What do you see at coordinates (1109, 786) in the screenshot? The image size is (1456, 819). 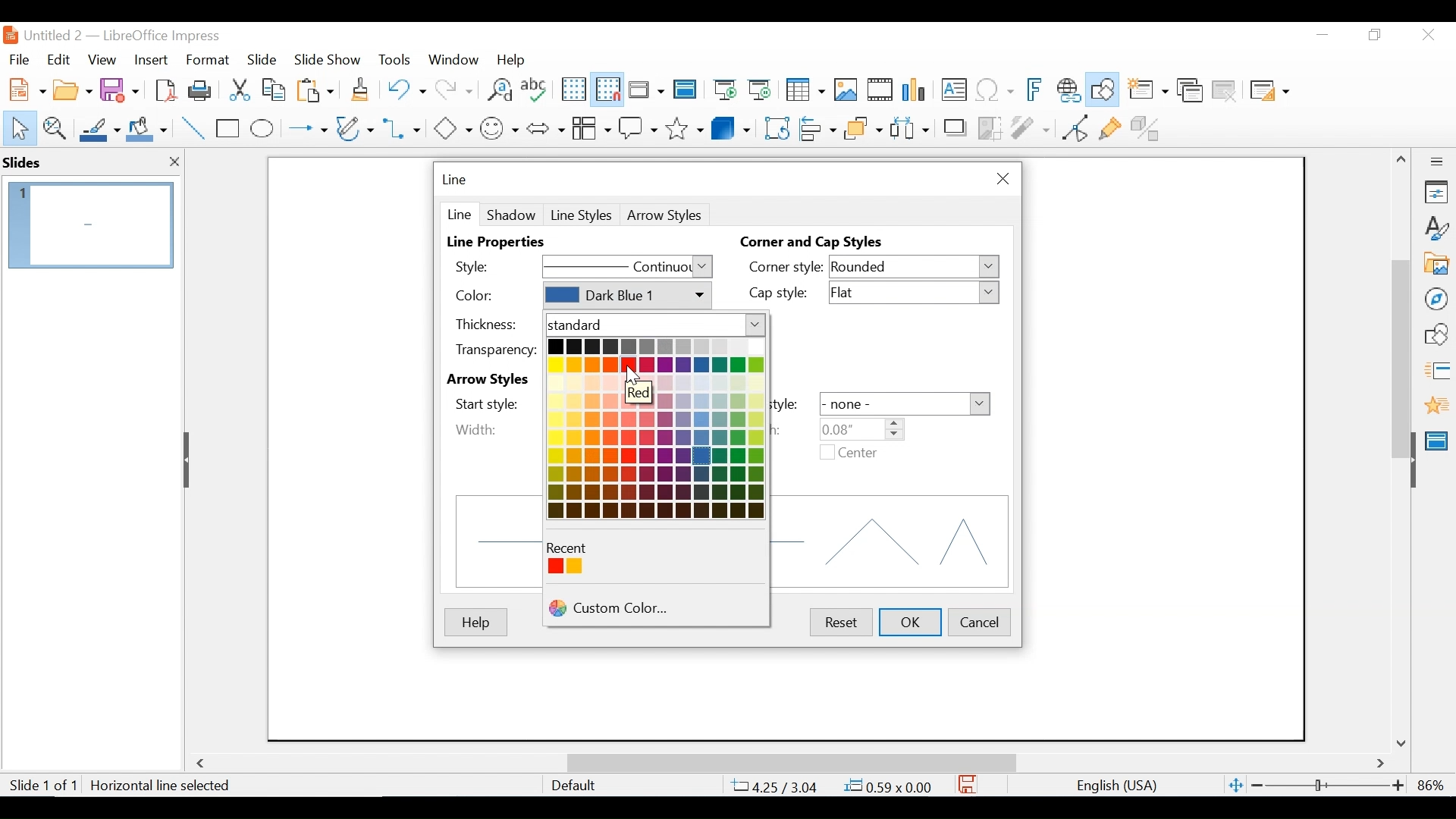 I see `English(USA)` at bounding box center [1109, 786].